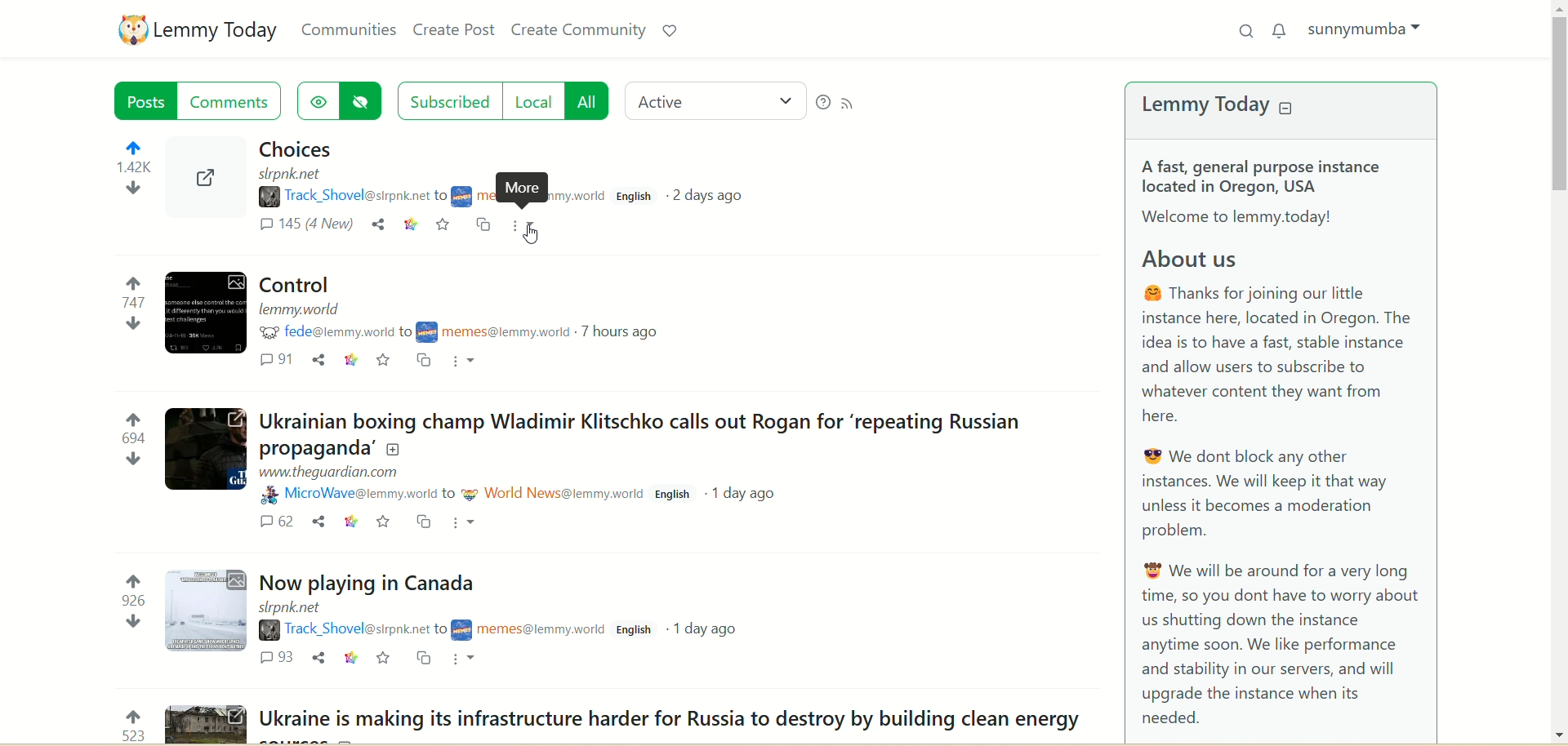 This screenshot has height=746, width=1568. What do you see at coordinates (363, 102) in the screenshot?
I see `hide hidden posts` at bounding box center [363, 102].